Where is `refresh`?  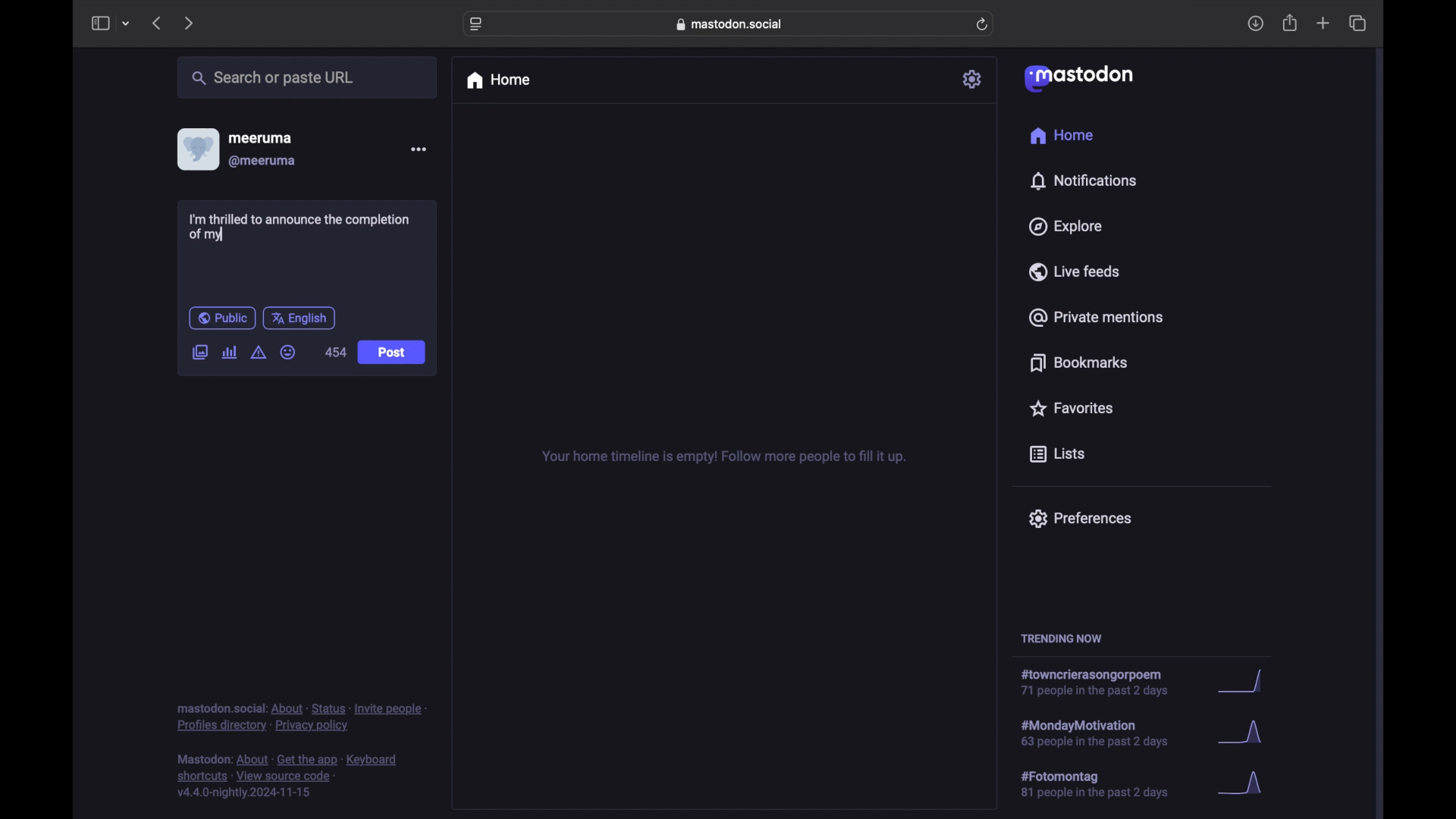 refresh is located at coordinates (982, 24).